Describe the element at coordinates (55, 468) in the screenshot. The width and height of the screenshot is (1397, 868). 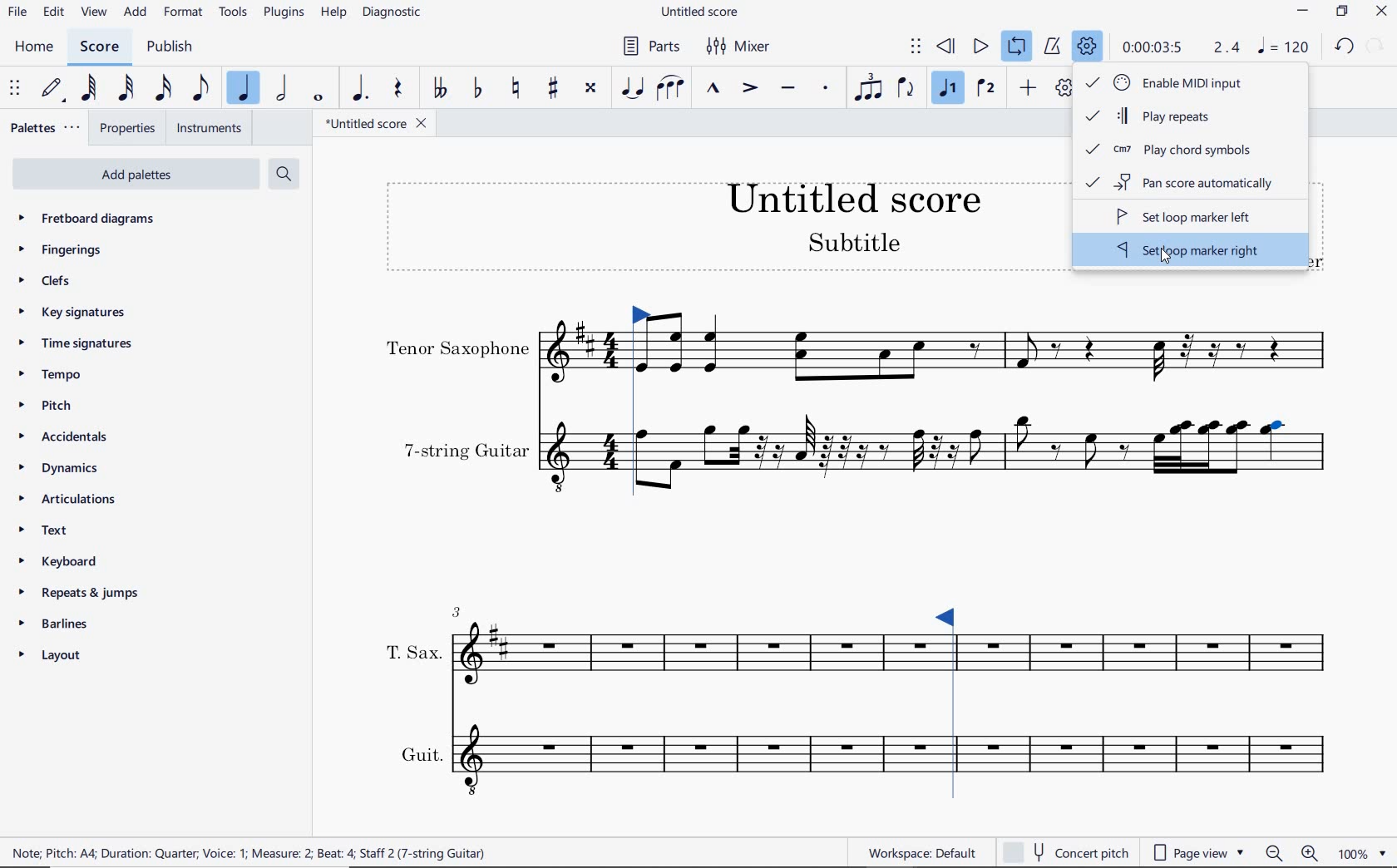
I see `DYNAMICS` at that location.